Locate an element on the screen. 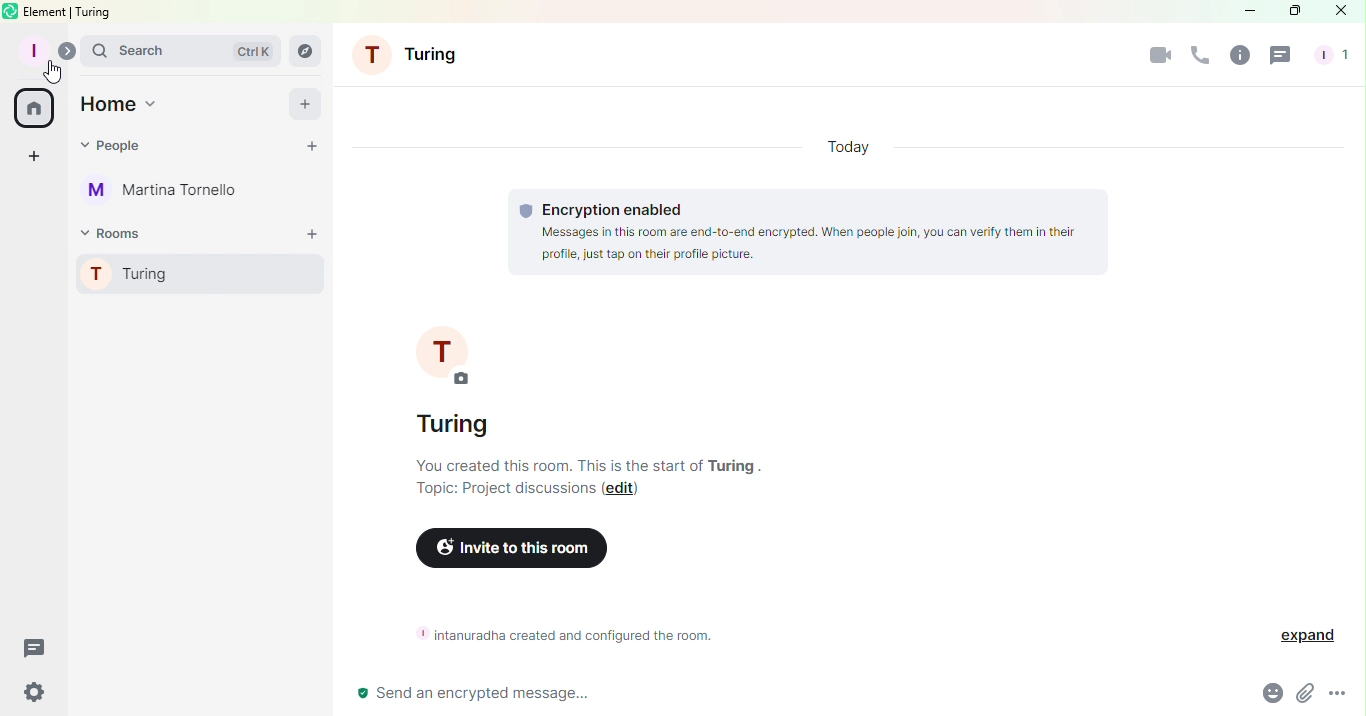  Expand is located at coordinates (1308, 637).